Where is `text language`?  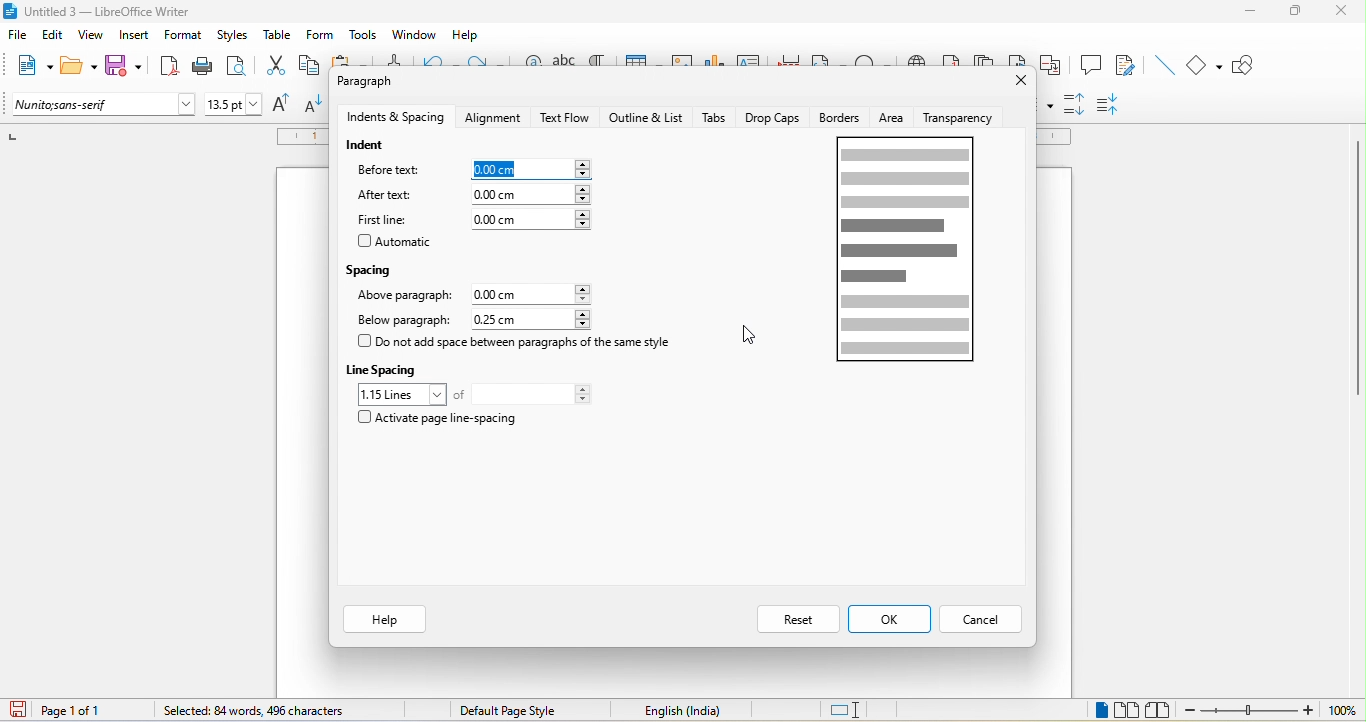
text language is located at coordinates (710, 710).